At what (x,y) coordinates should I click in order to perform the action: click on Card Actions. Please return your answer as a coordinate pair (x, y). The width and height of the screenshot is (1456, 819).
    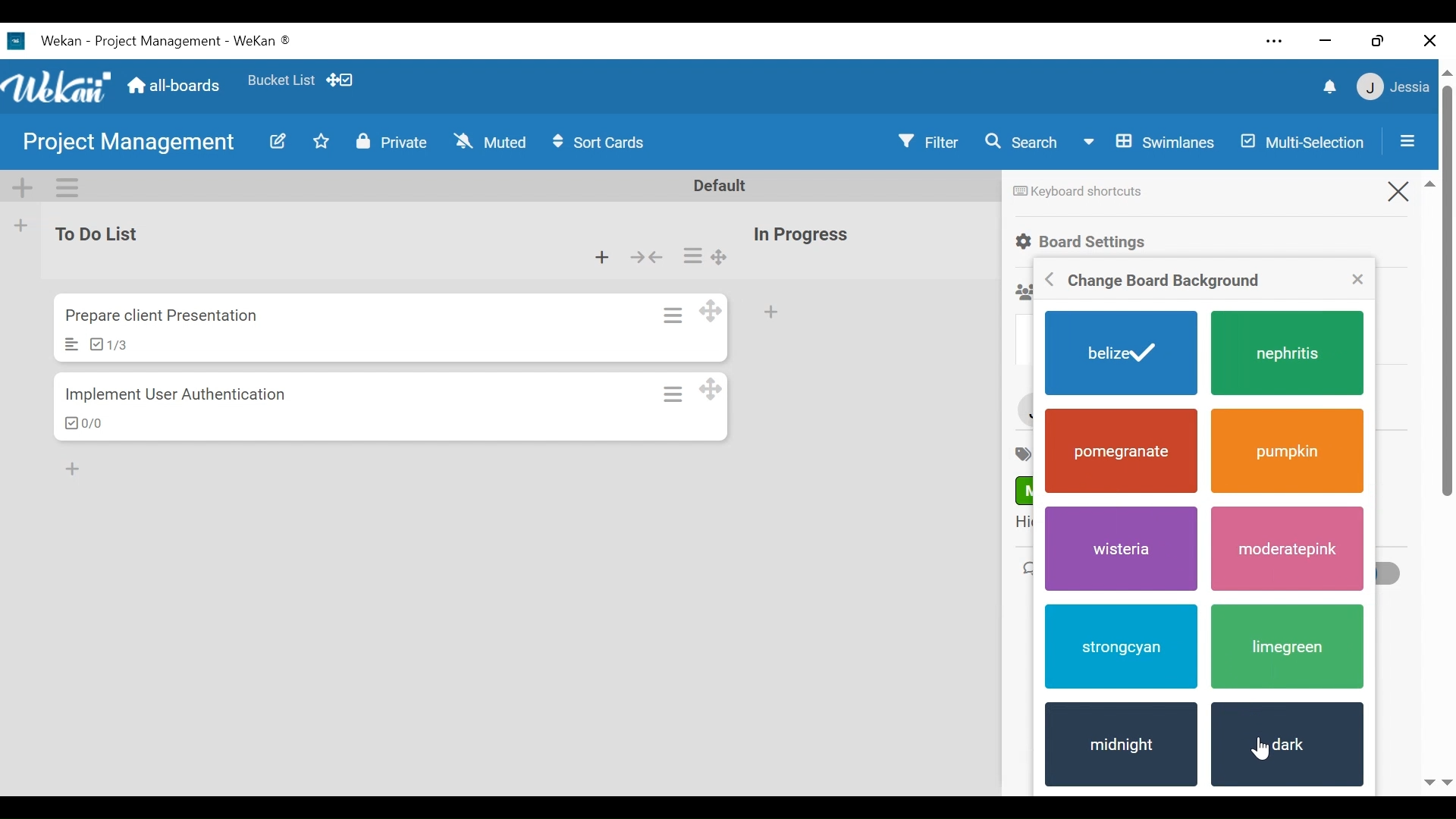
    Looking at the image, I should click on (681, 314).